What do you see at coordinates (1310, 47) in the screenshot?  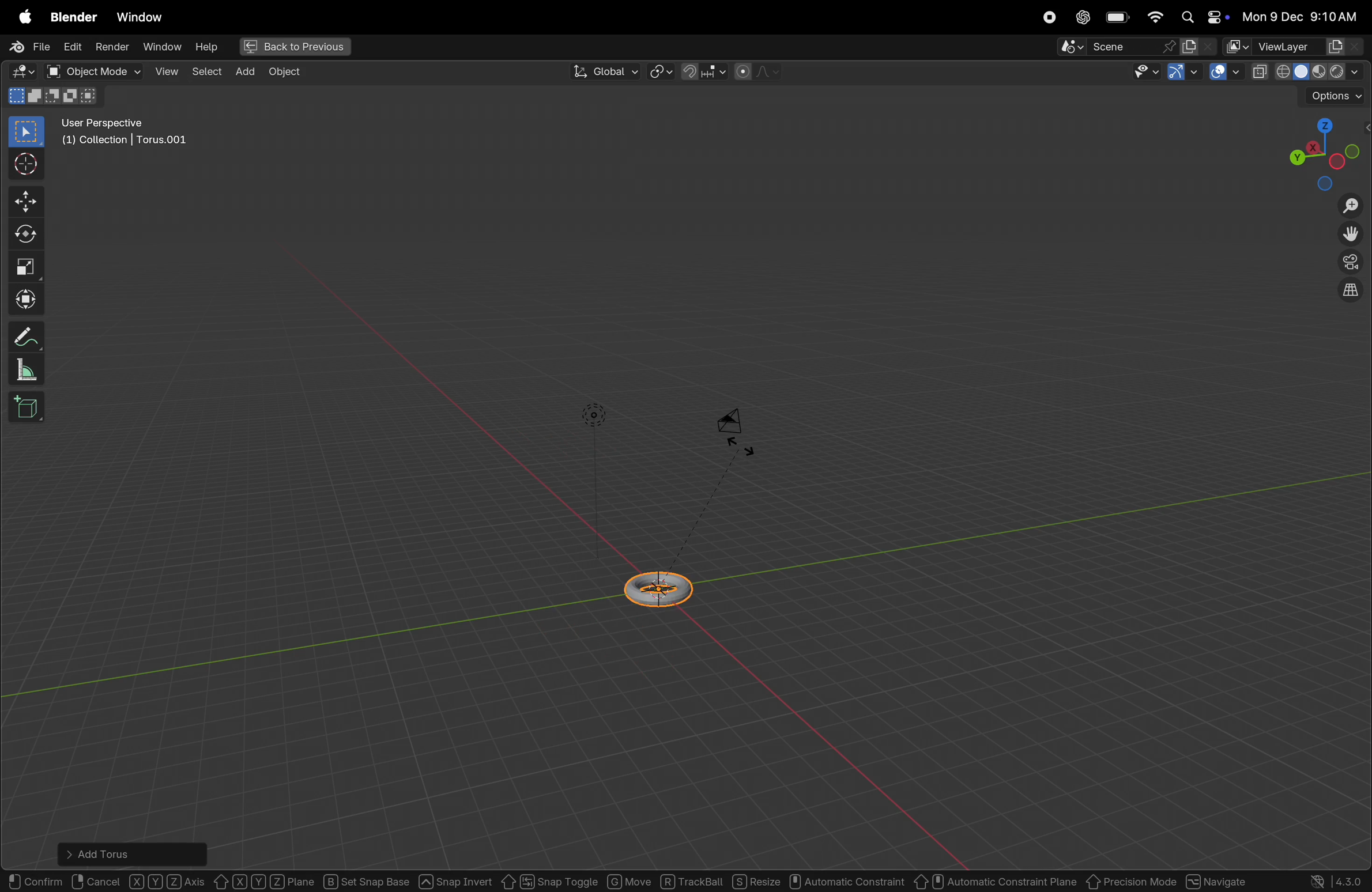 I see `view layers` at bounding box center [1310, 47].